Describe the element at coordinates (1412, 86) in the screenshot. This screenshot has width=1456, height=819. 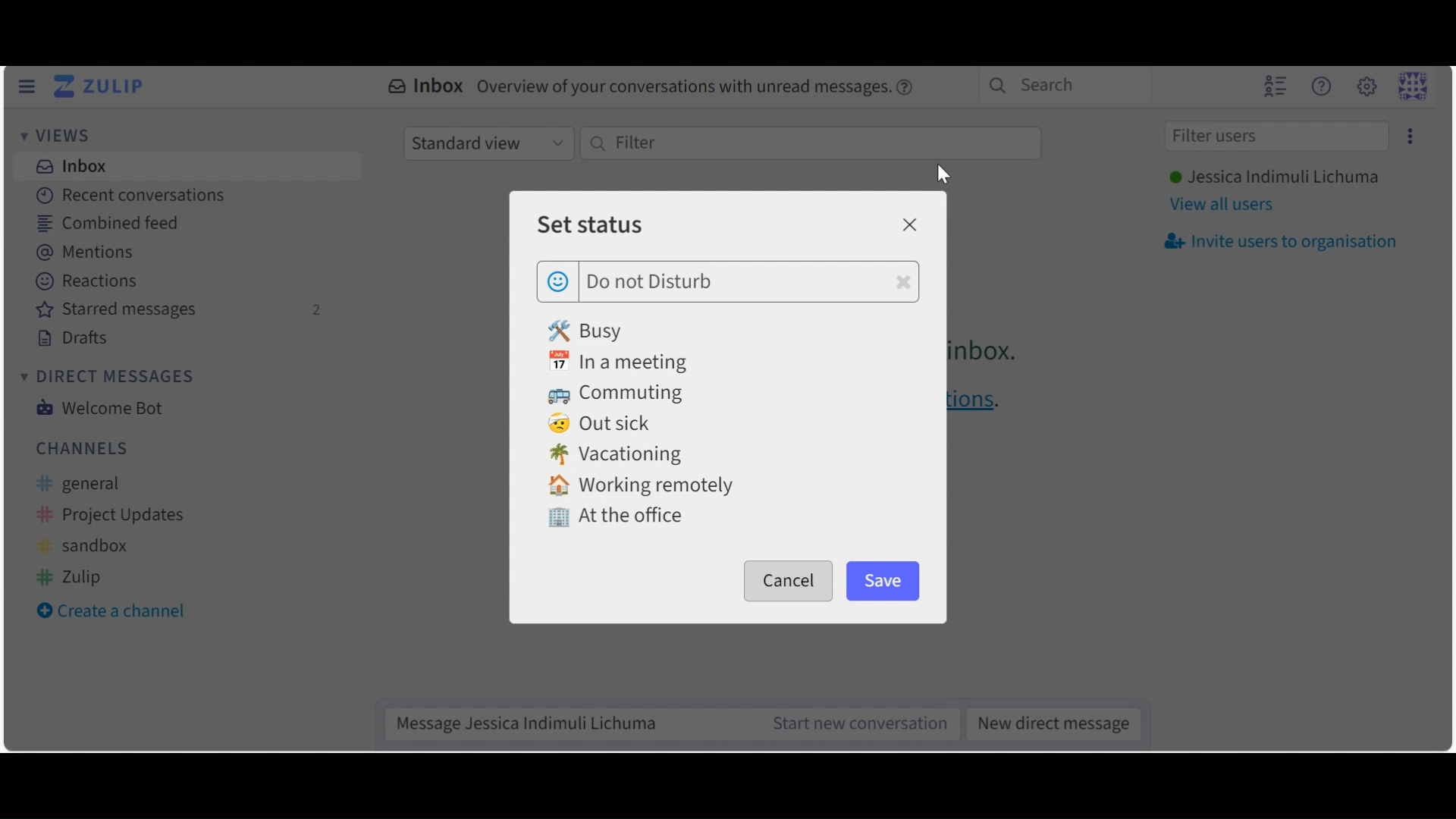
I see `Personal menu` at that location.